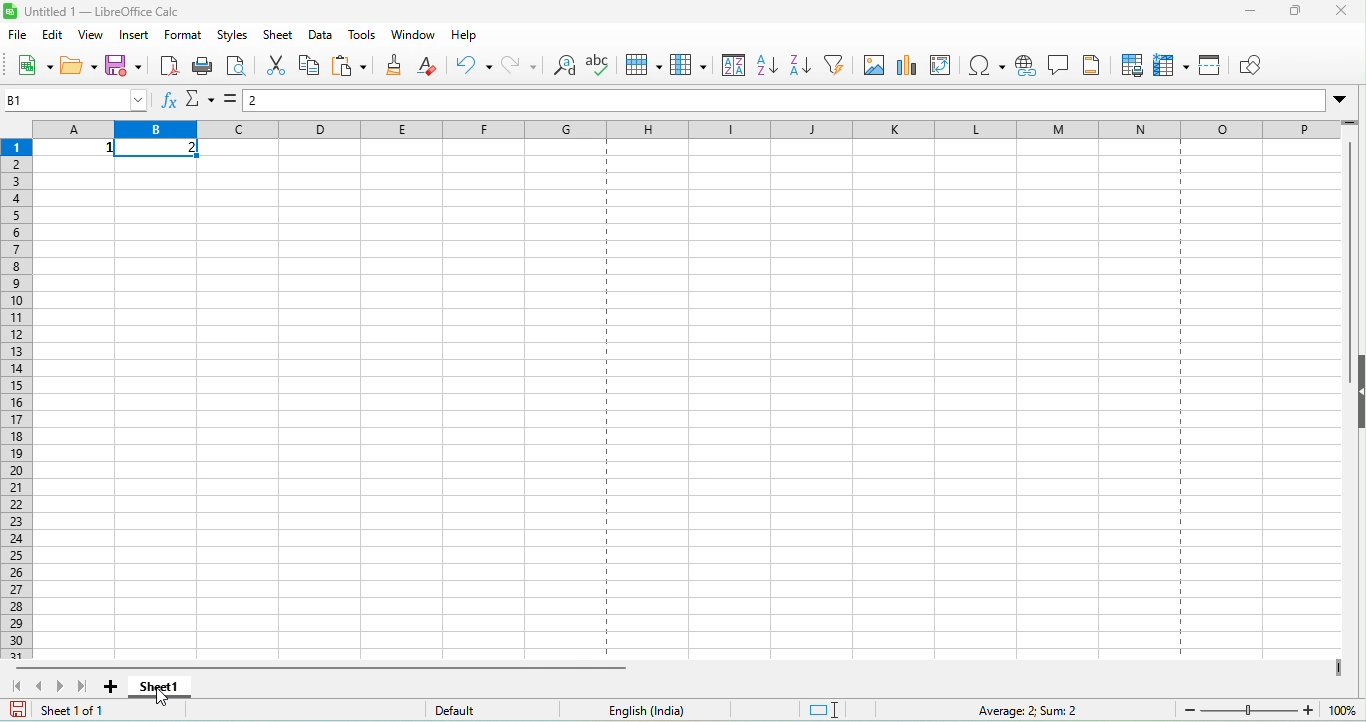  What do you see at coordinates (74, 99) in the screenshot?
I see `name box` at bounding box center [74, 99].